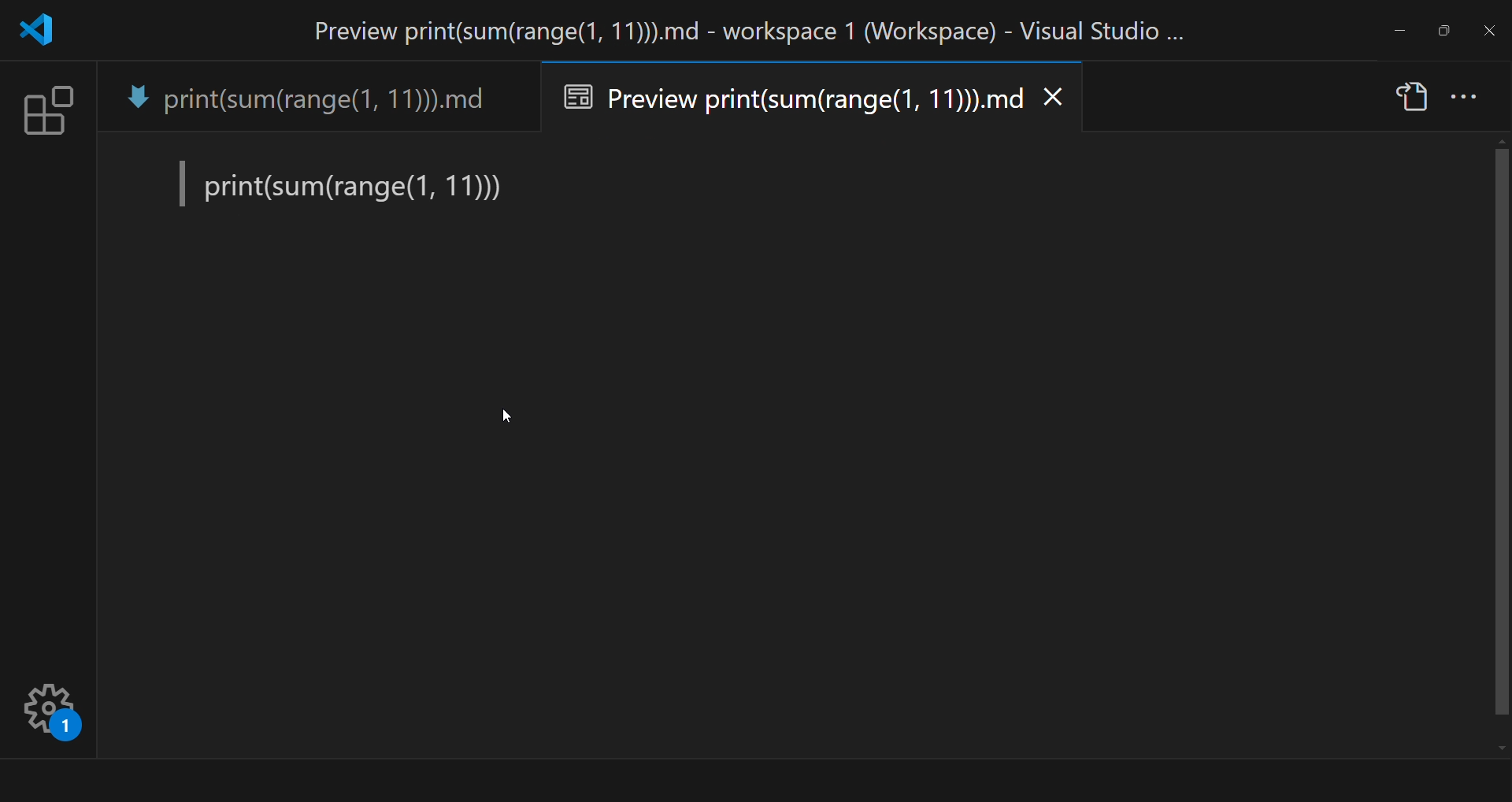 The image size is (1512, 802). What do you see at coordinates (1053, 97) in the screenshot?
I see `close tab` at bounding box center [1053, 97].